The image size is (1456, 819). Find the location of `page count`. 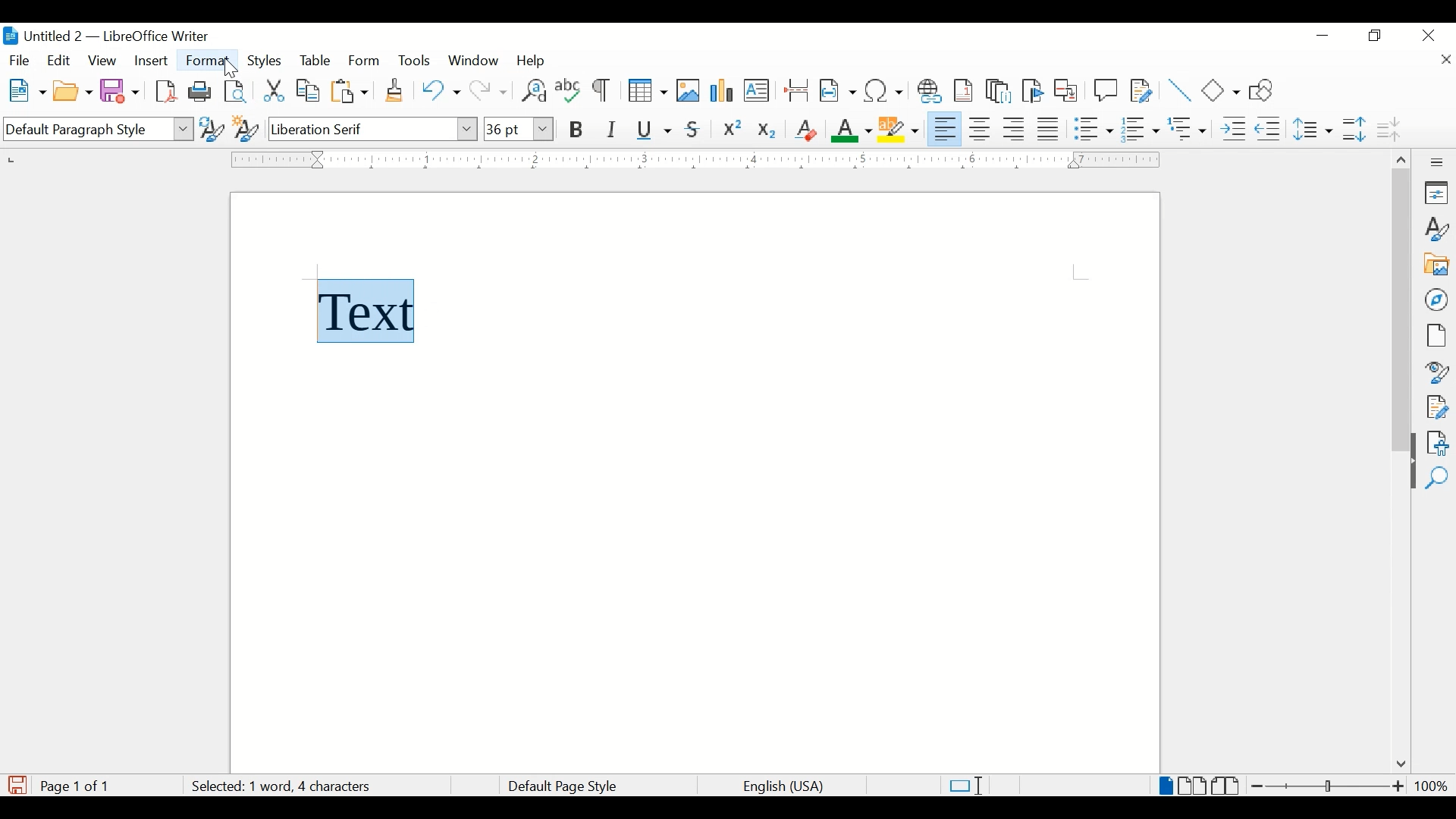

page count is located at coordinates (79, 786).